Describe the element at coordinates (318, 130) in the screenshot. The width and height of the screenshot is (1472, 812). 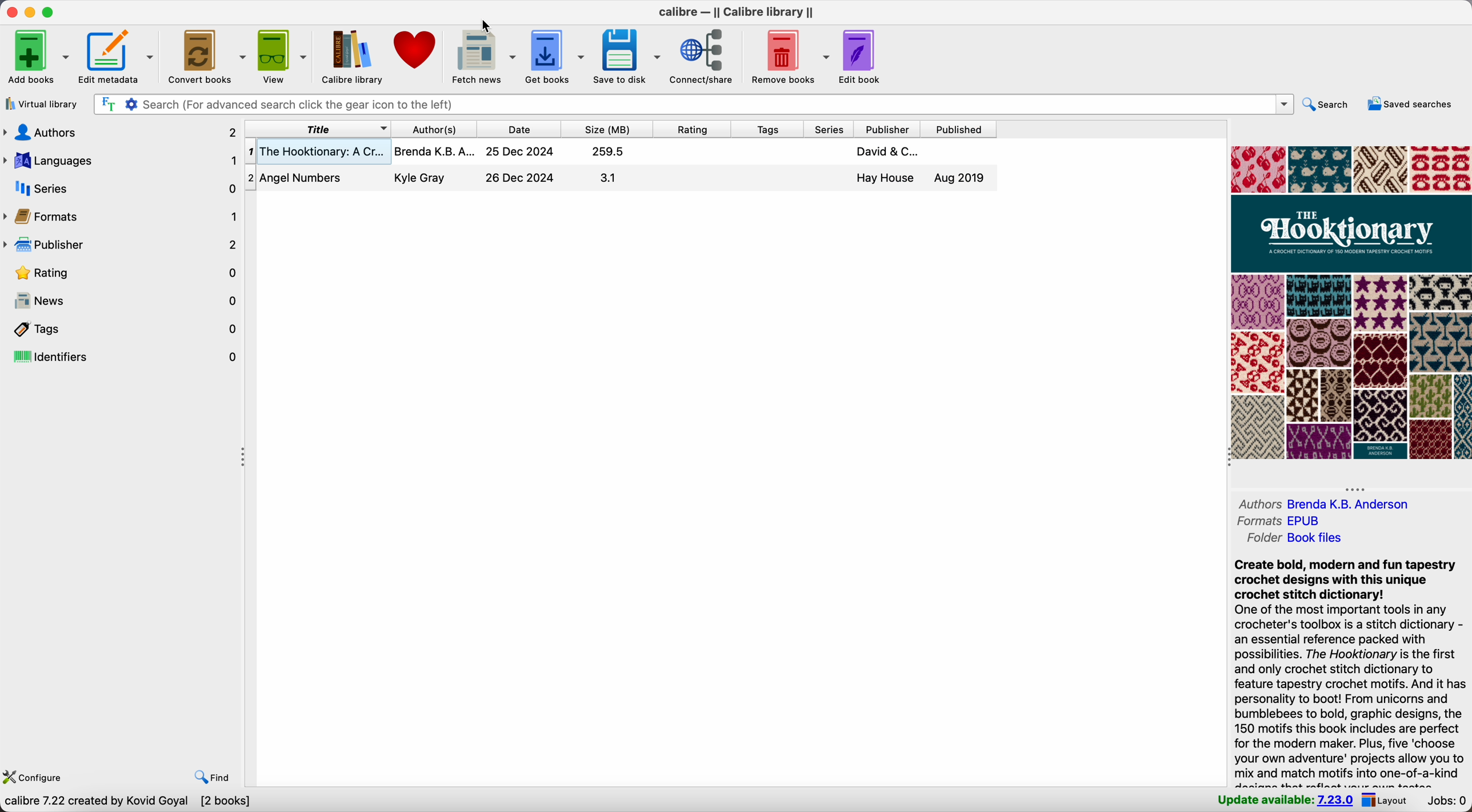
I see `title` at that location.